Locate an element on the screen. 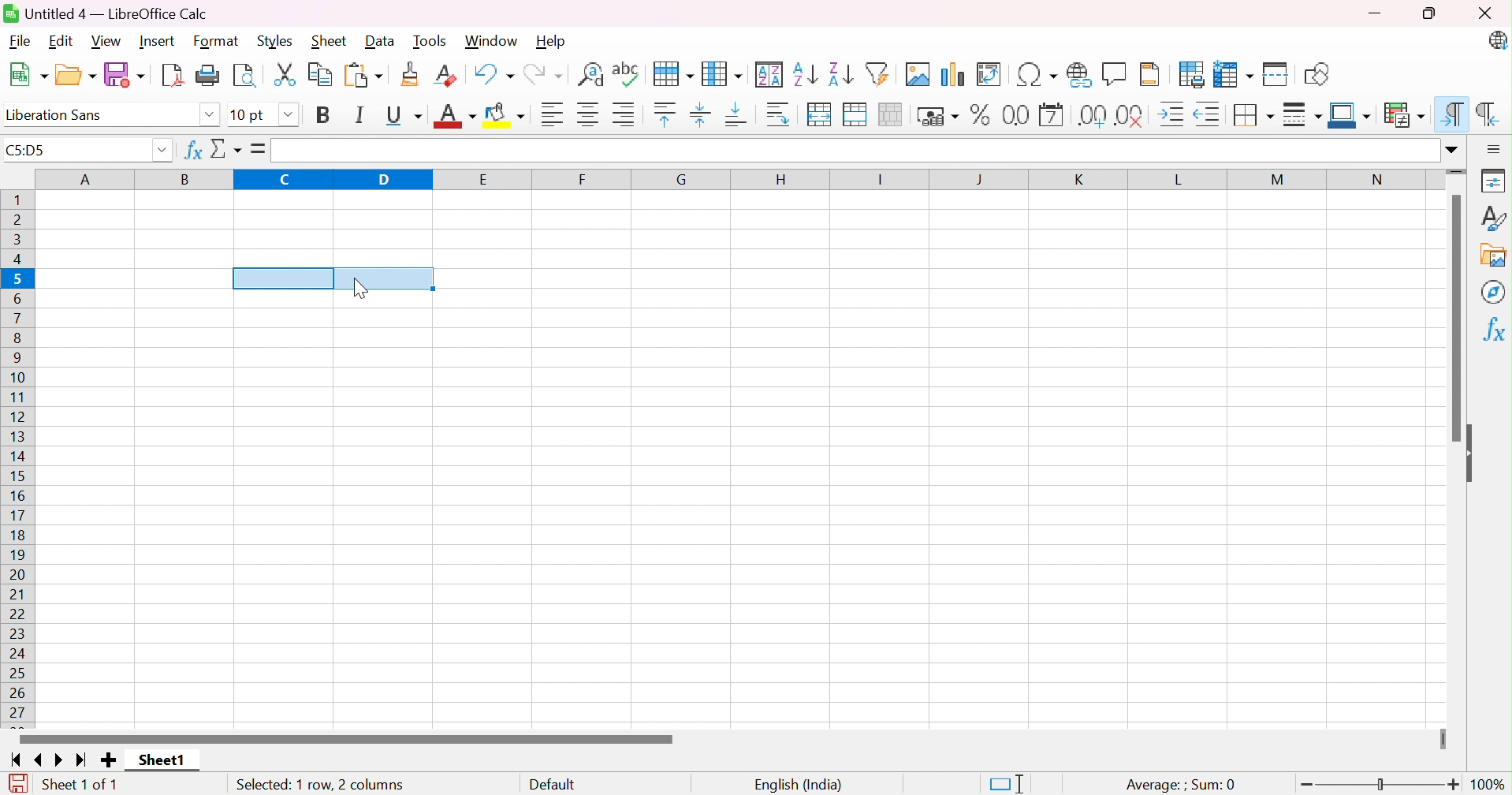 Image resolution: width=1512 pixels, height=795 pixels. Drop Down is located at coordinates (288, 113).